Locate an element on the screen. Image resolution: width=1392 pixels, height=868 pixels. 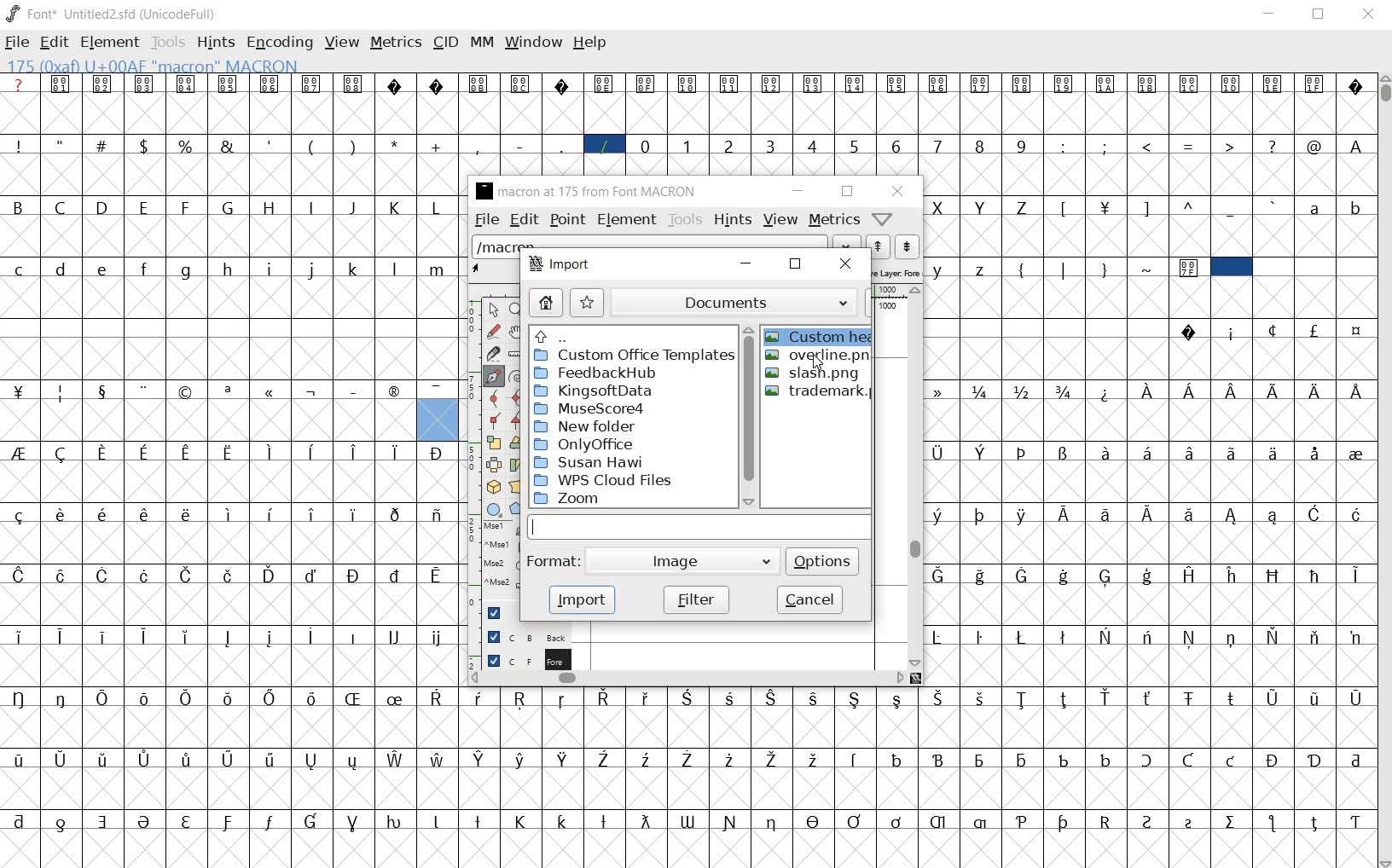
Symbol is located at coordinates (1354, 83).